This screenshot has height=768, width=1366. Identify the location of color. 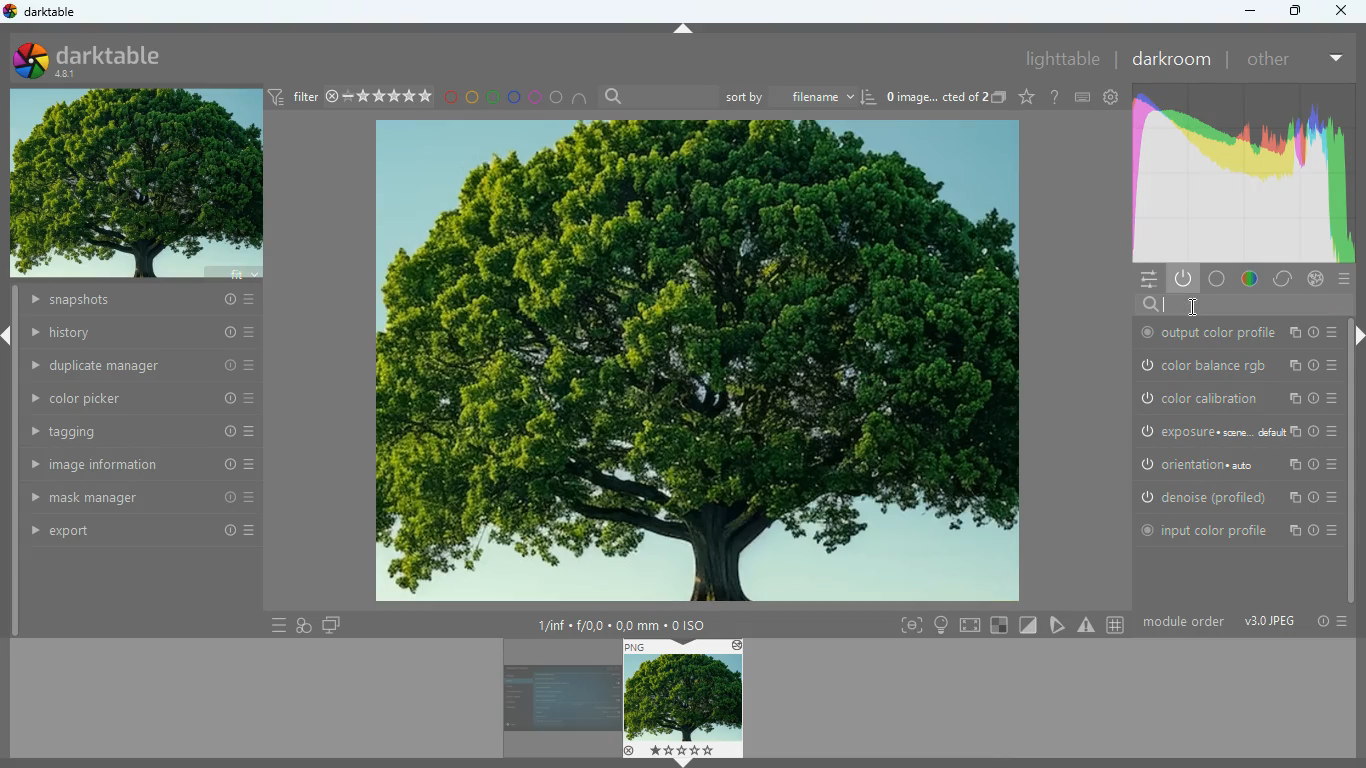
(1245, 279).